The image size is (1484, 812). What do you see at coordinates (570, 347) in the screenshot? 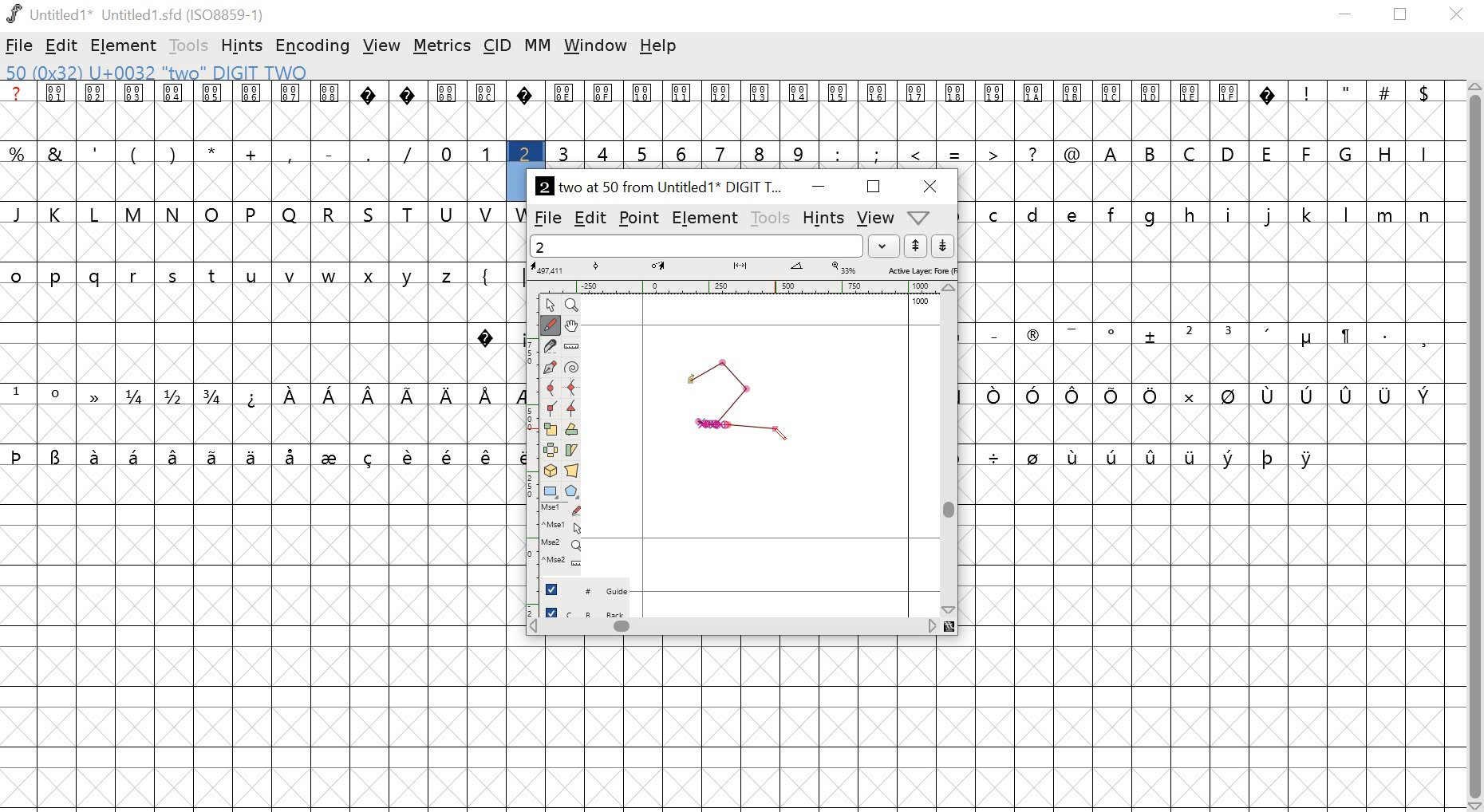
I see `ruler` at bounding box center [570, 347].